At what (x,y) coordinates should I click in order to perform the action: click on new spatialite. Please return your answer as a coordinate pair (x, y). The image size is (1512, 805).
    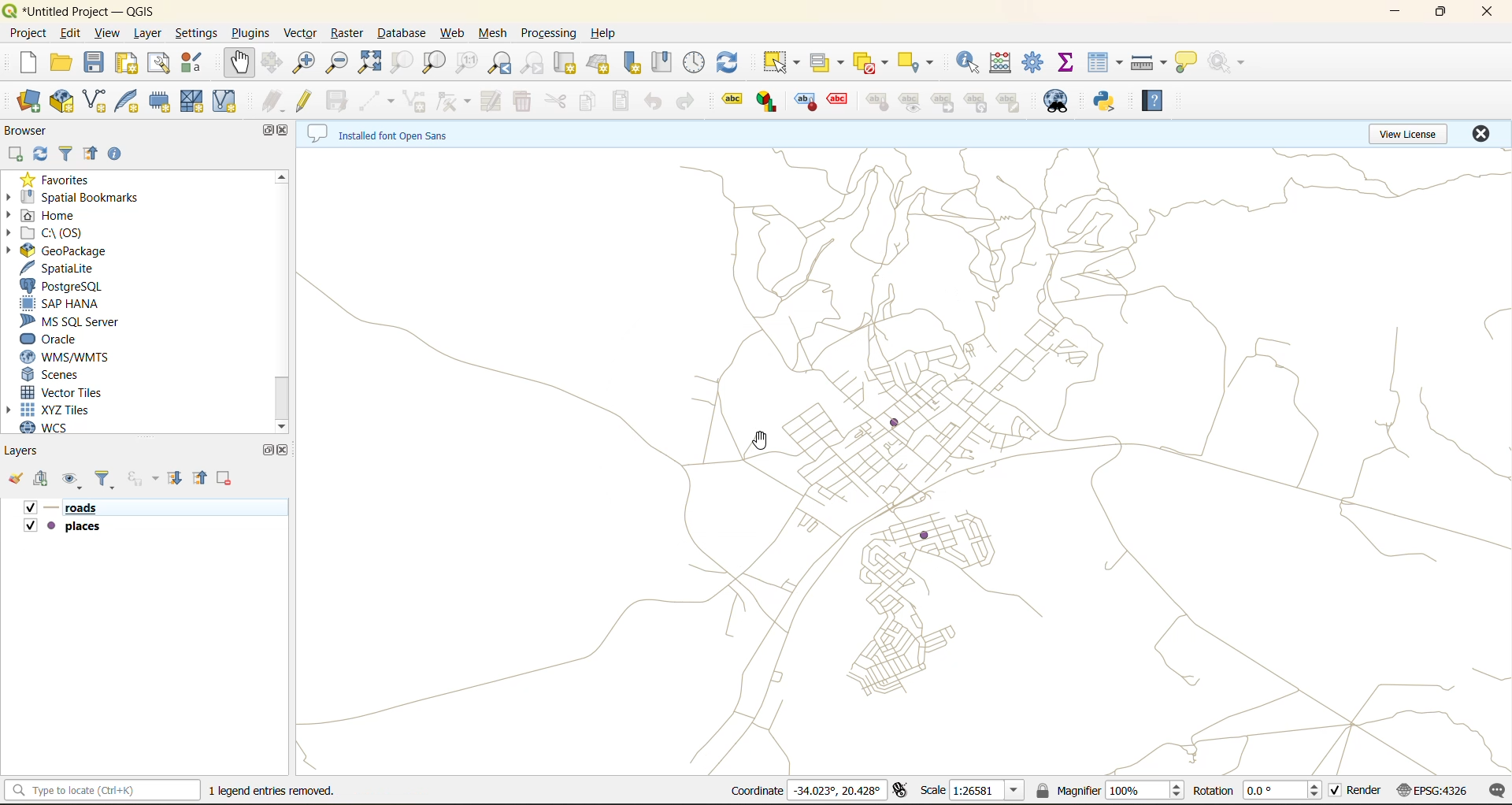
    Looking at the image, I should click on (133, 102).